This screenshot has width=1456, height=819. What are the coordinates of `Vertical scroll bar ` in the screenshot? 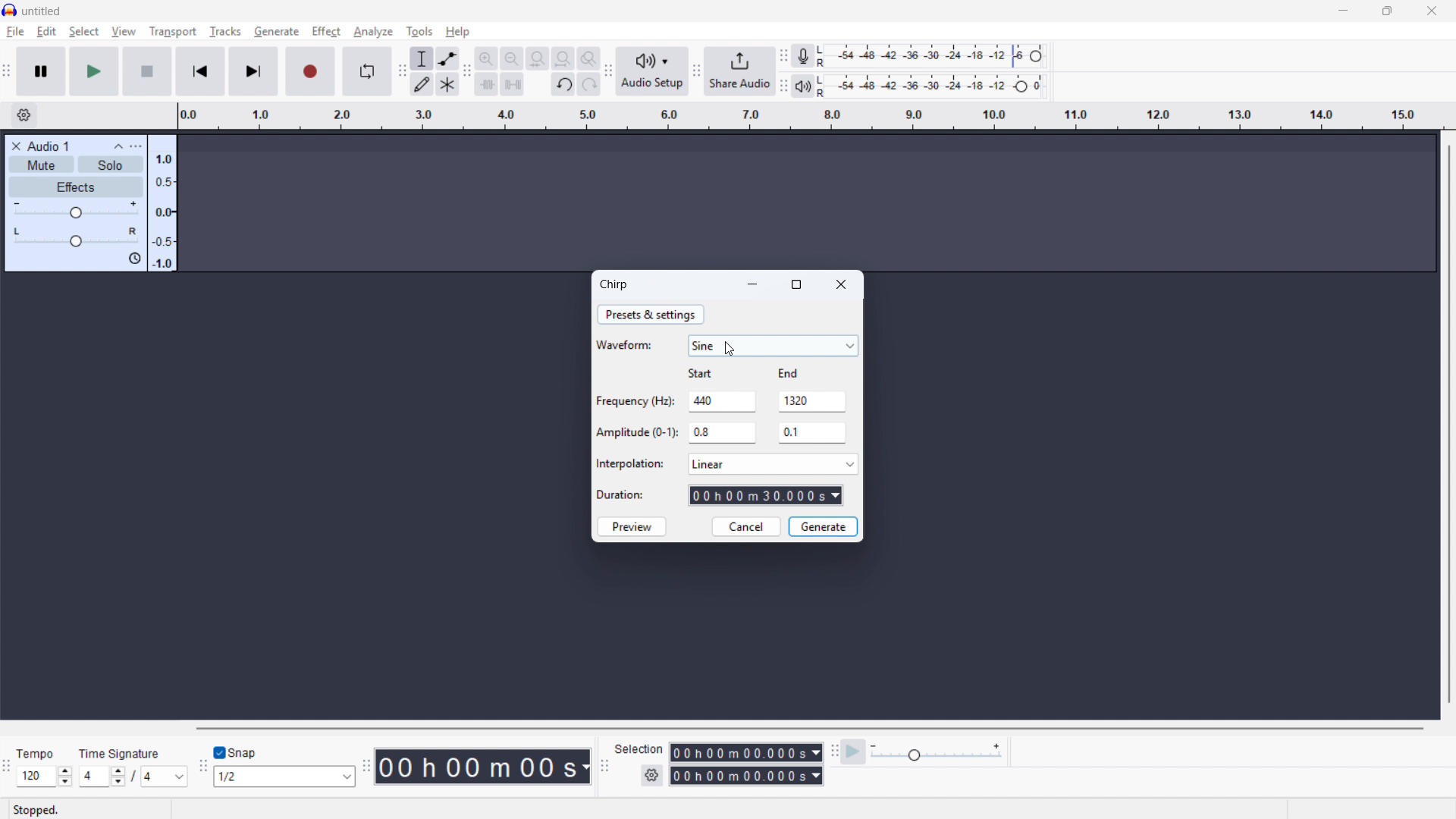 It's located at (1449, 425).